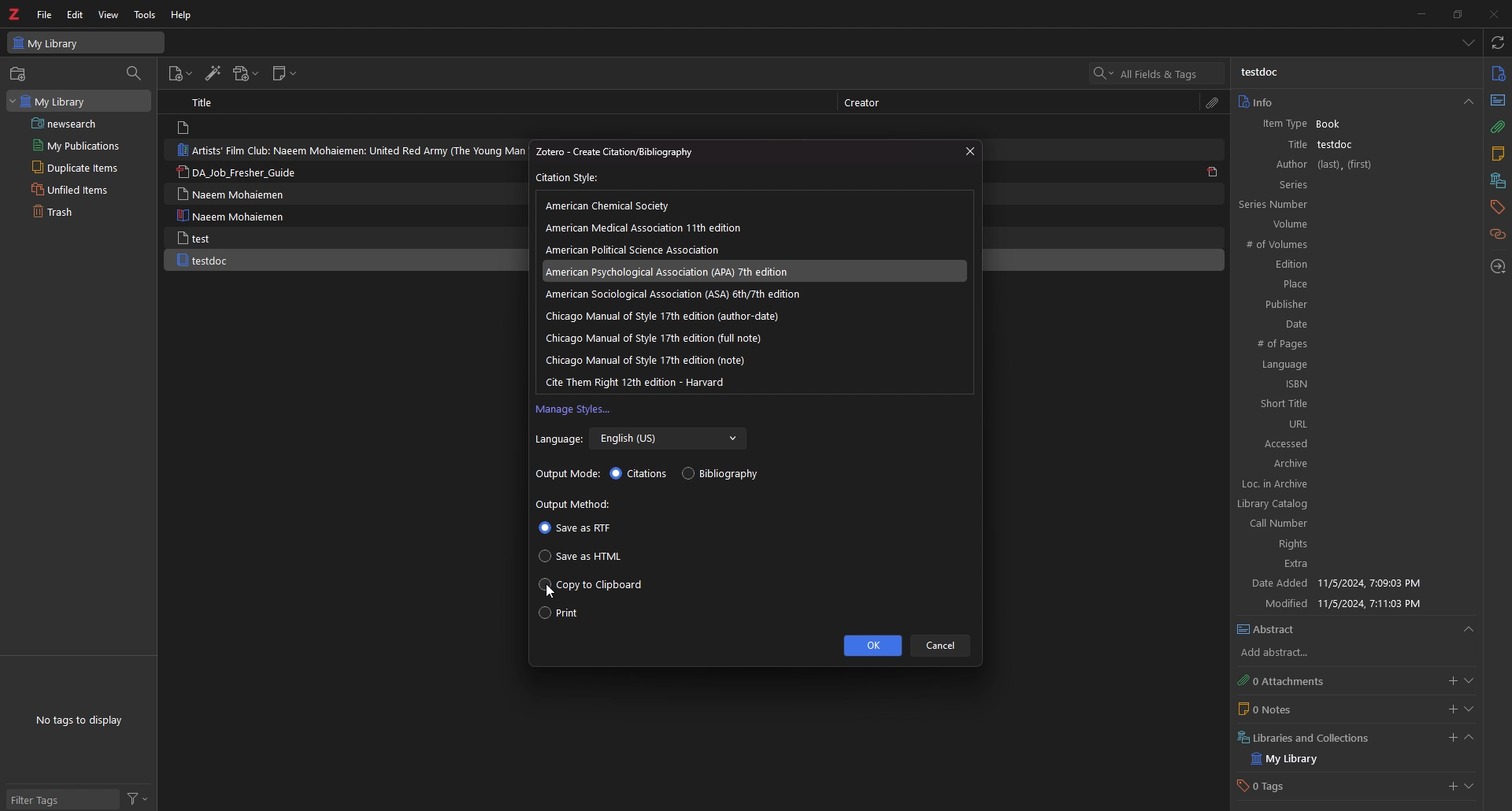 The height and width of the screenshot is (811, 1512). I want to click on American Sociological Association (ASA) 6th/7th edition, so click(673, 294).